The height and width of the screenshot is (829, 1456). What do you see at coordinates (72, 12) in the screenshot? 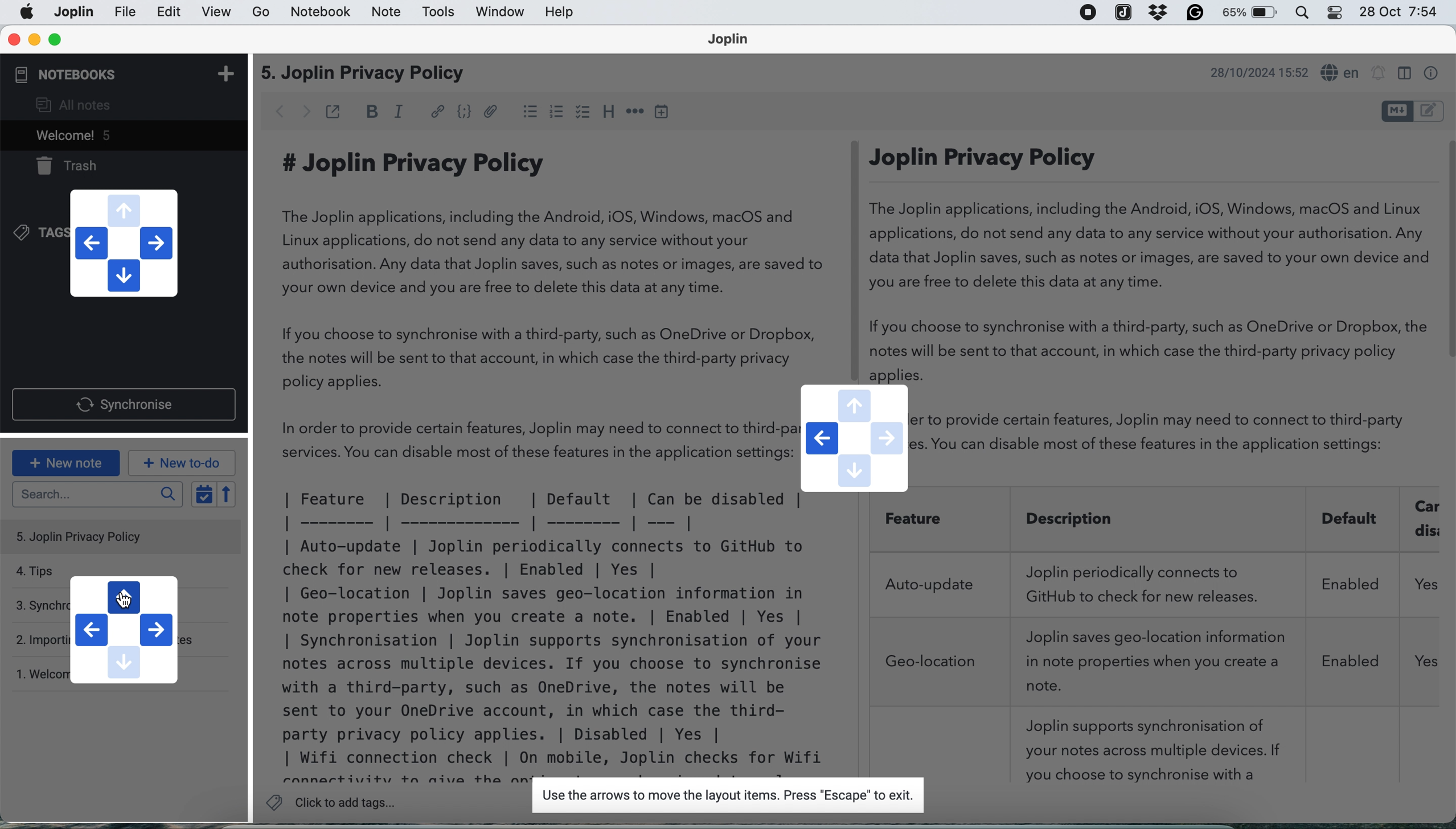
I see `file` at bounding box center [72, 12].